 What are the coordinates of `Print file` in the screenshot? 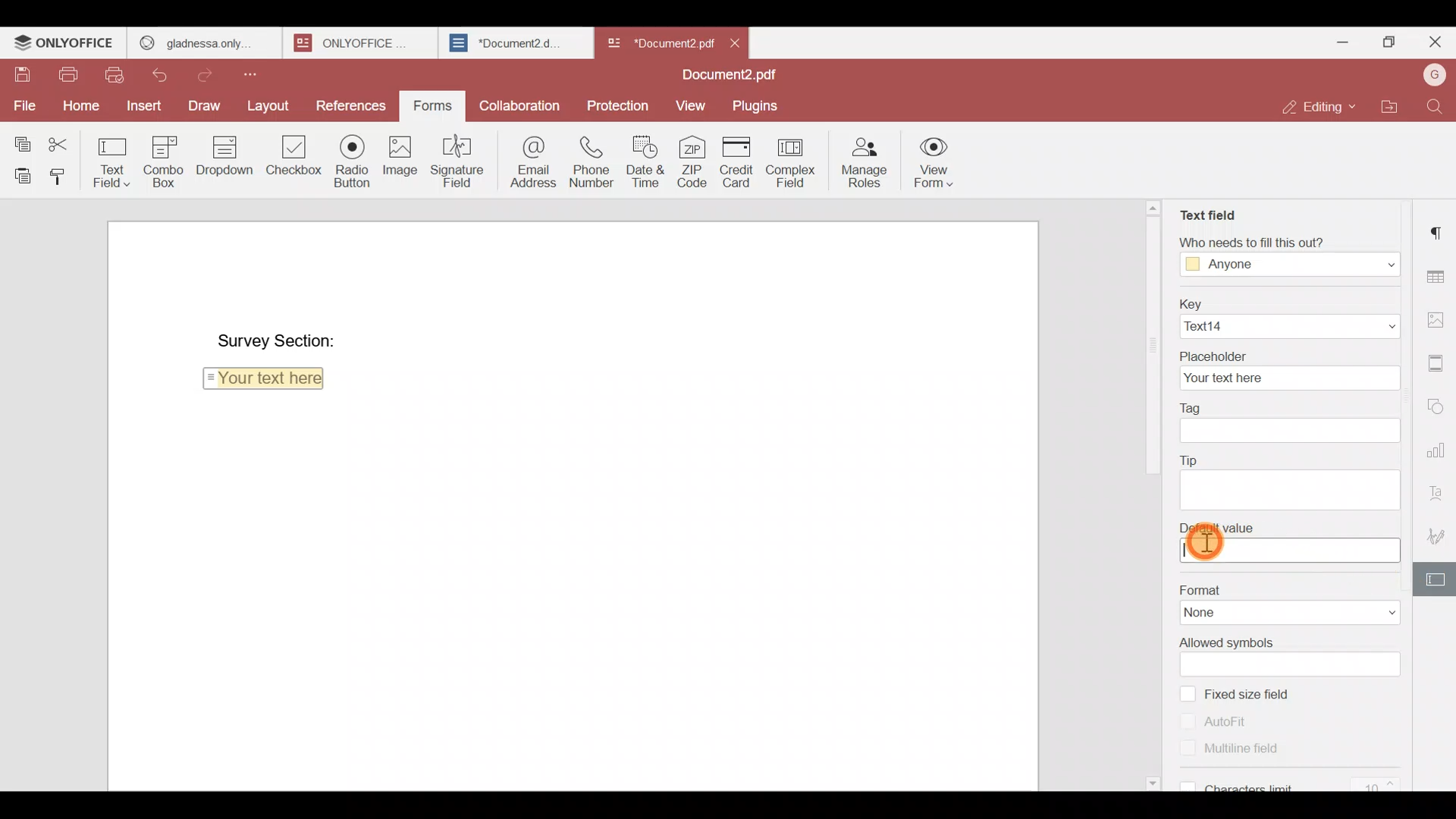 It's located at (63, 71).